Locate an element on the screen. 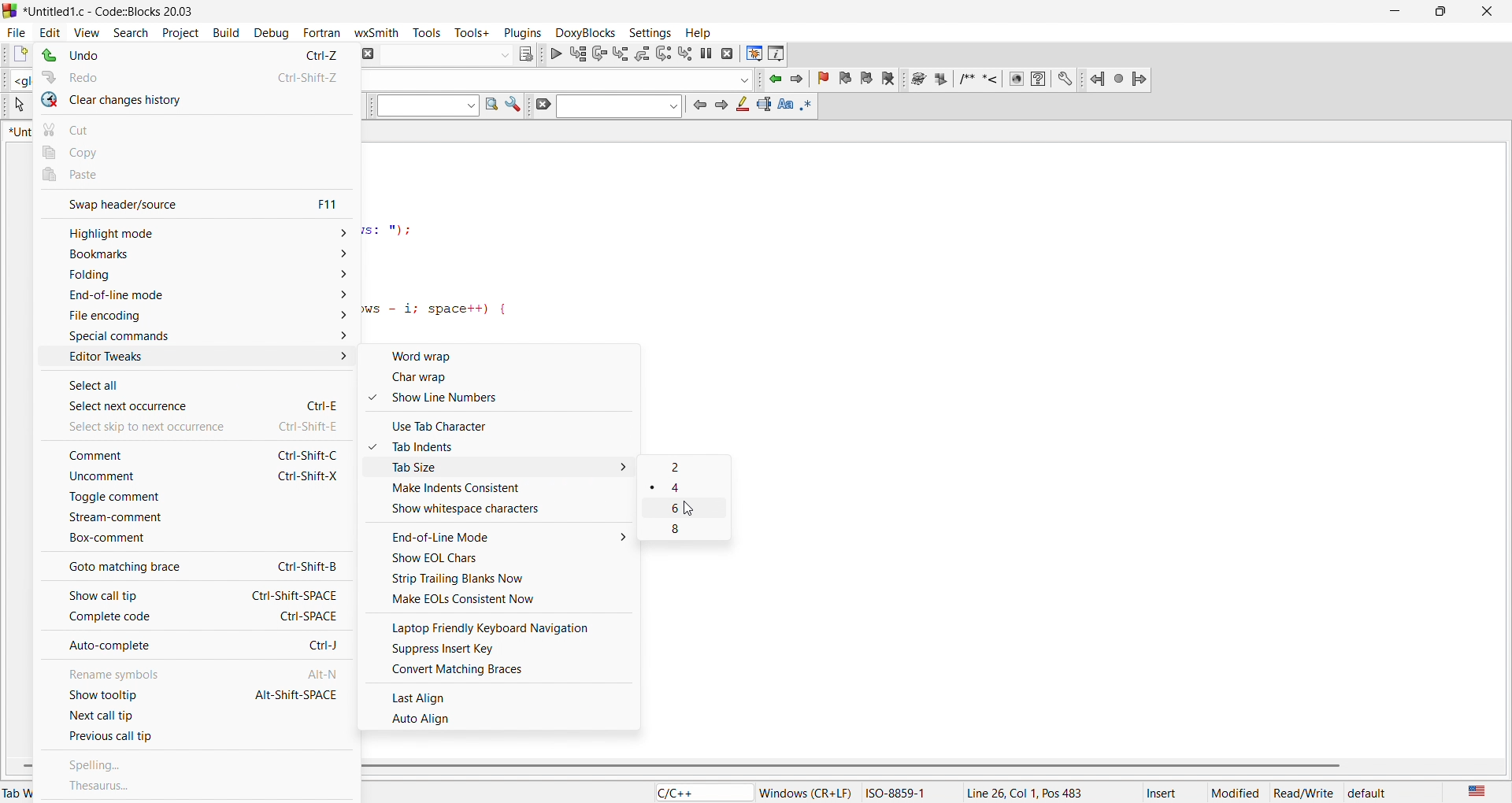 This screenshot has width=1512, height=803. debugging window is located at coordinates (750, 53).